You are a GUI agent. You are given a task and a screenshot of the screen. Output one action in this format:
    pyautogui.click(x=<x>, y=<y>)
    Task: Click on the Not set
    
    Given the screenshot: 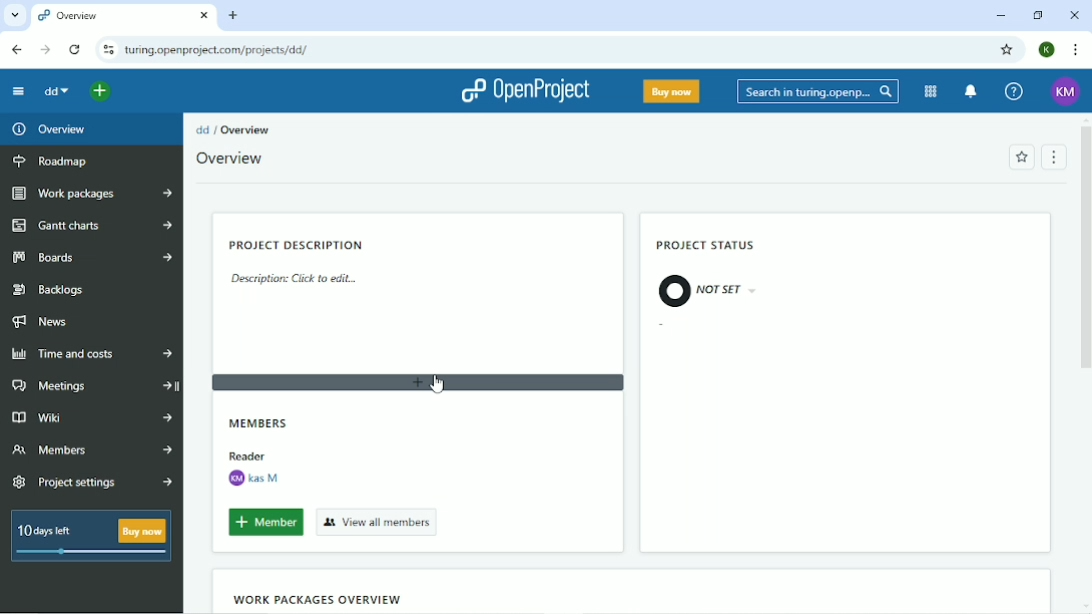 What is the action you would take?
    pyautogui.click(x=708, y=291)
    